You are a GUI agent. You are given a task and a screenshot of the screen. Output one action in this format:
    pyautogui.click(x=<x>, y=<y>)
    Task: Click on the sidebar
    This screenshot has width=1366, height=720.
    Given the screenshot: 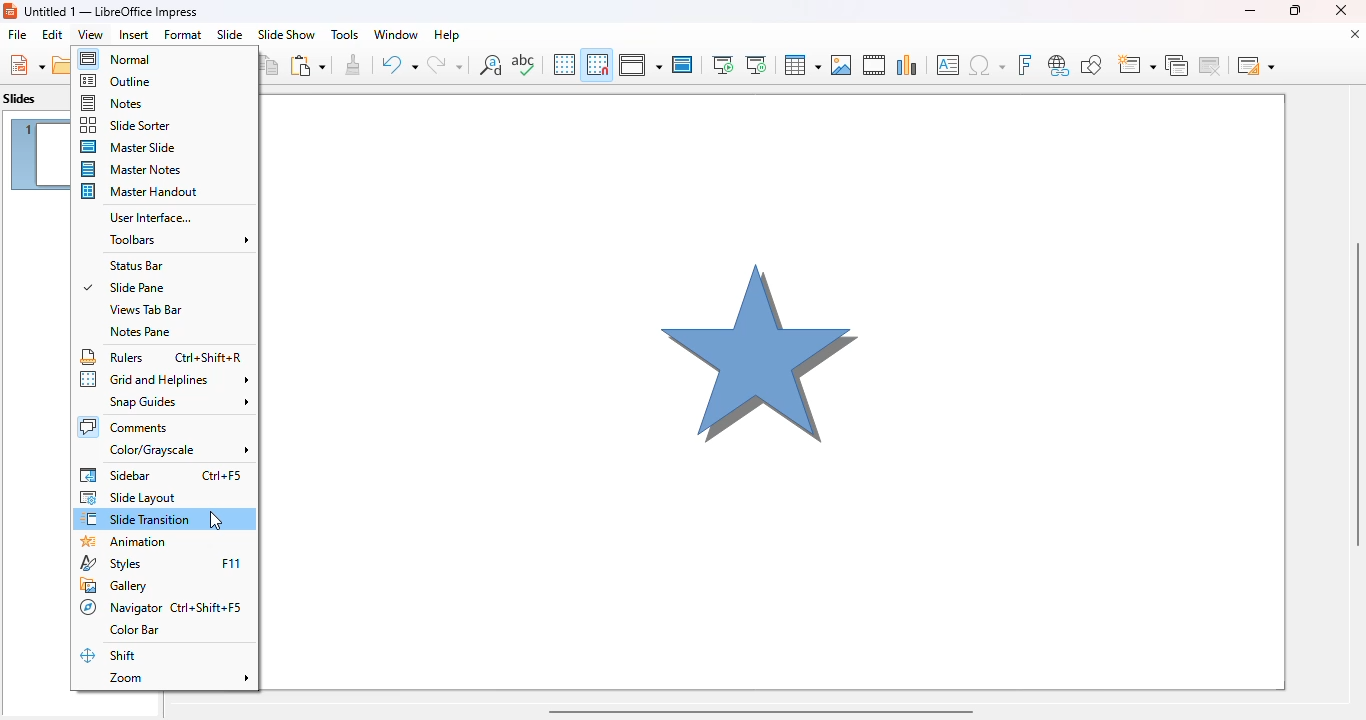 What is the action you would take?
    pyautogui.click(x=164, y=475)
    